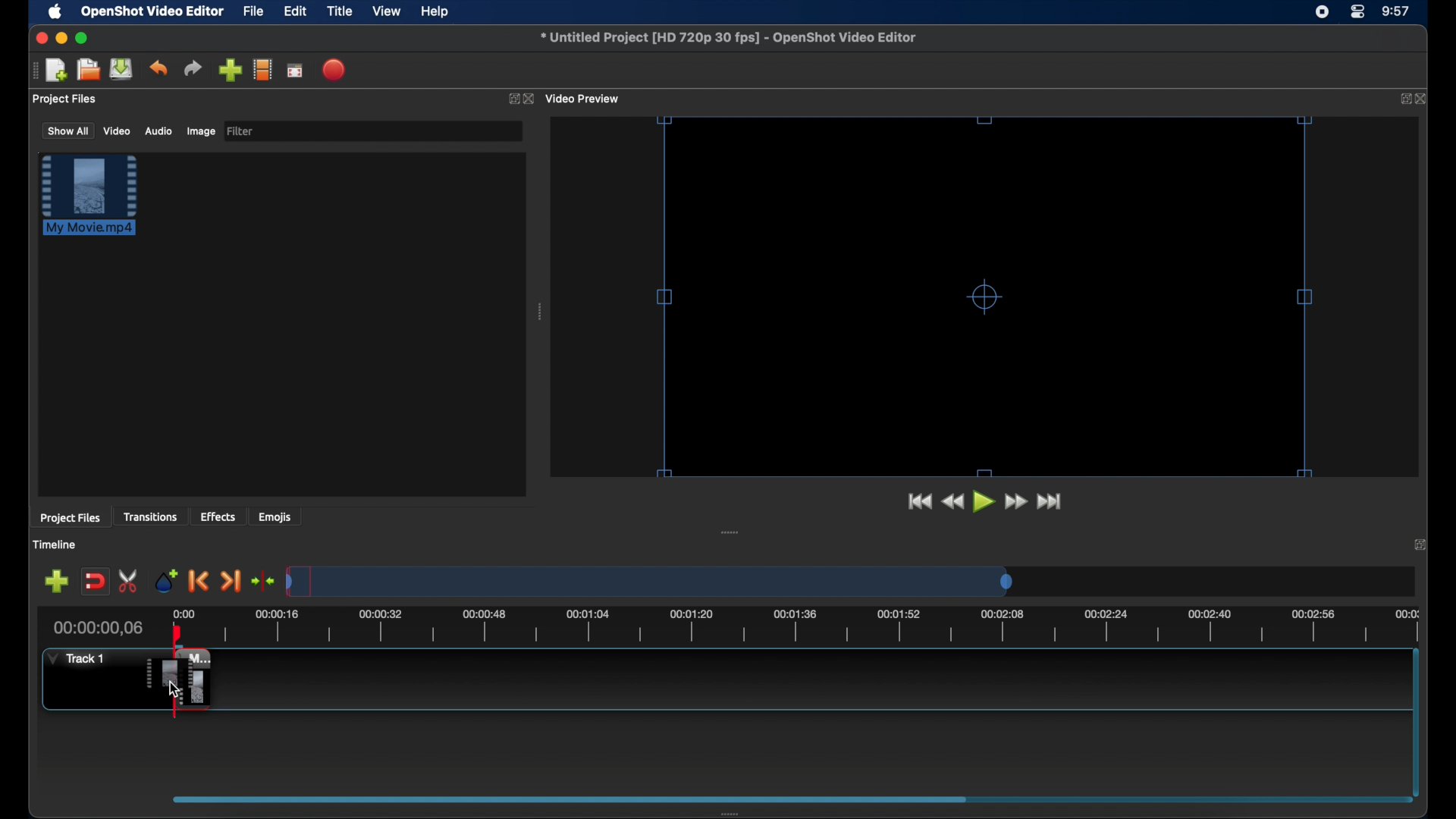 Image resolution: width=1456 pixels, height=819 pixels. I want to click on fast forward, so click(1017, 502).